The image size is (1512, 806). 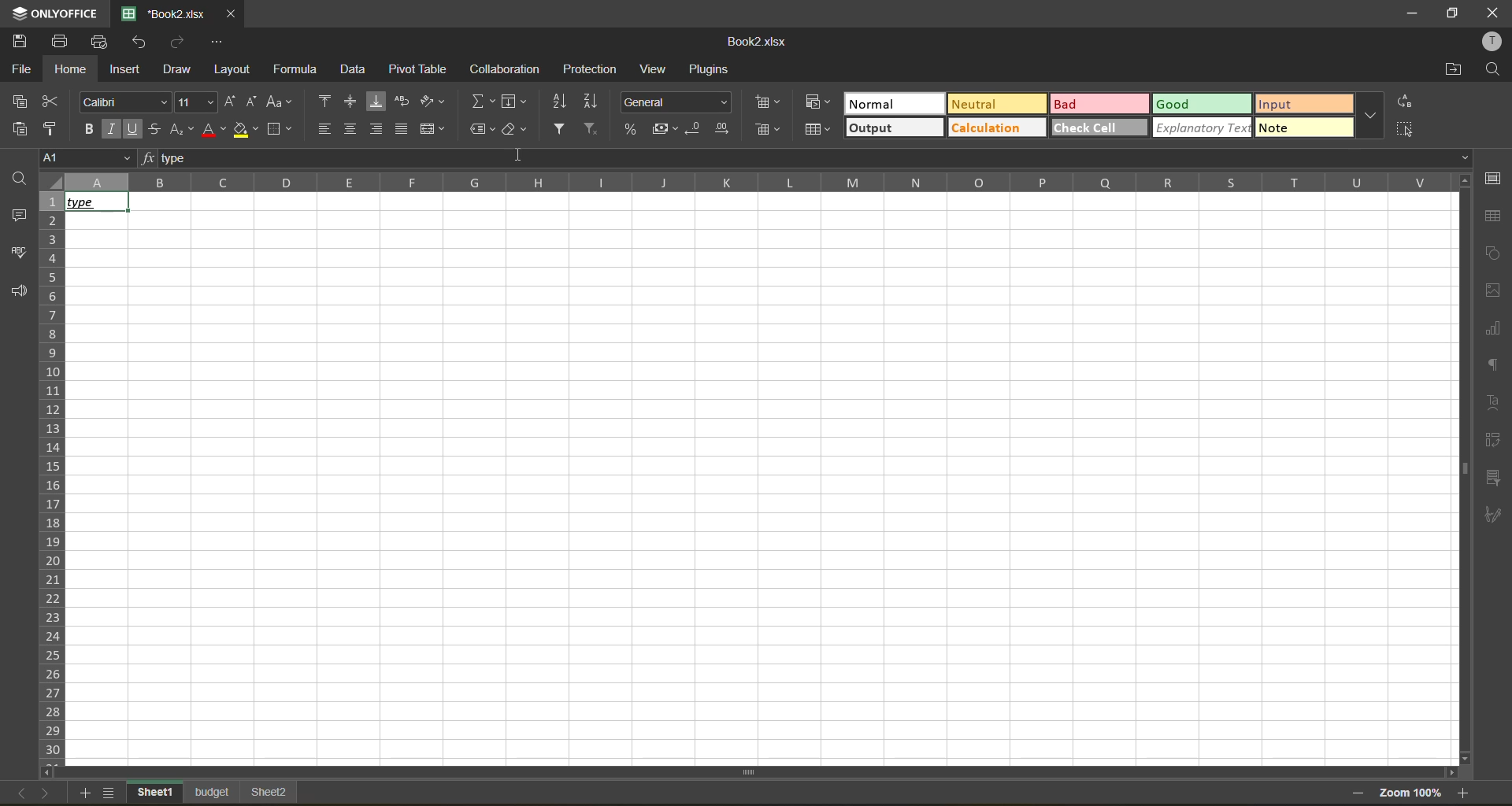 I want to click on text underlined, so click(x=92, y=201).